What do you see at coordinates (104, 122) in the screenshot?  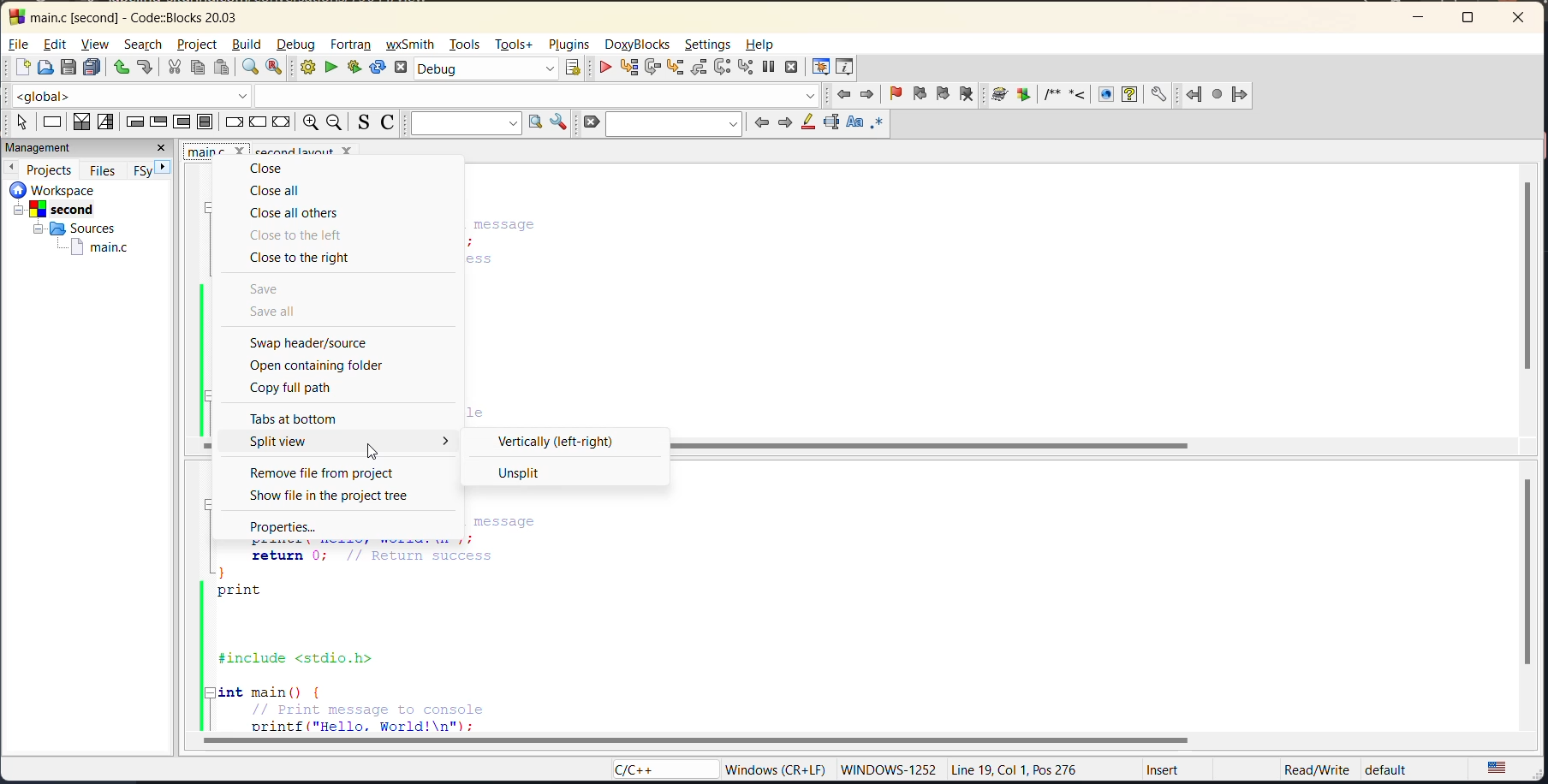 I see `selection` at bounding box center [104, 122].